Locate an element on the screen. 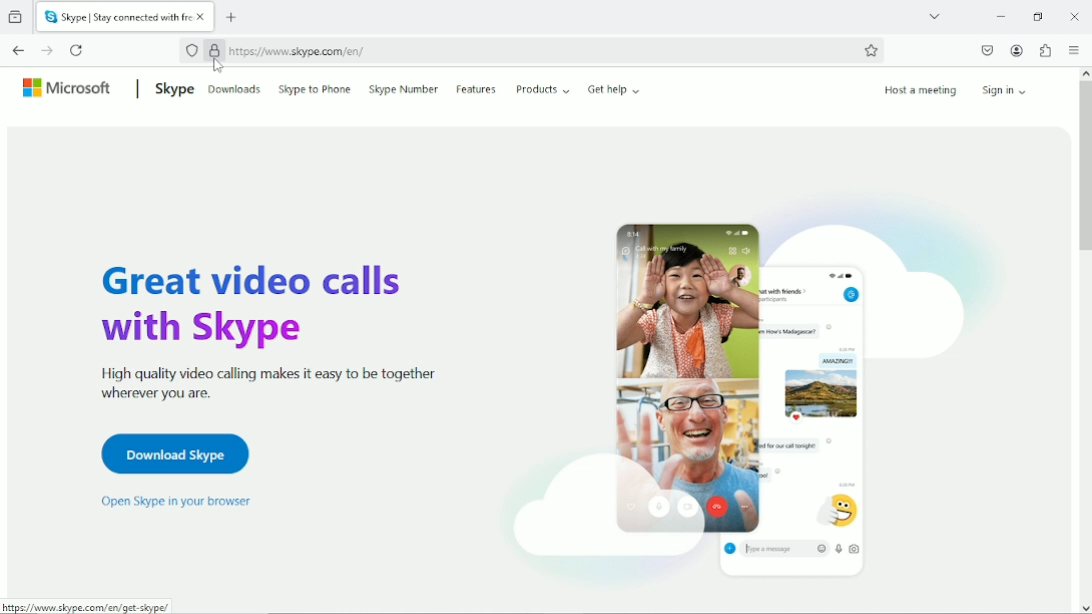  Account is located at coordinates (1017, 51).